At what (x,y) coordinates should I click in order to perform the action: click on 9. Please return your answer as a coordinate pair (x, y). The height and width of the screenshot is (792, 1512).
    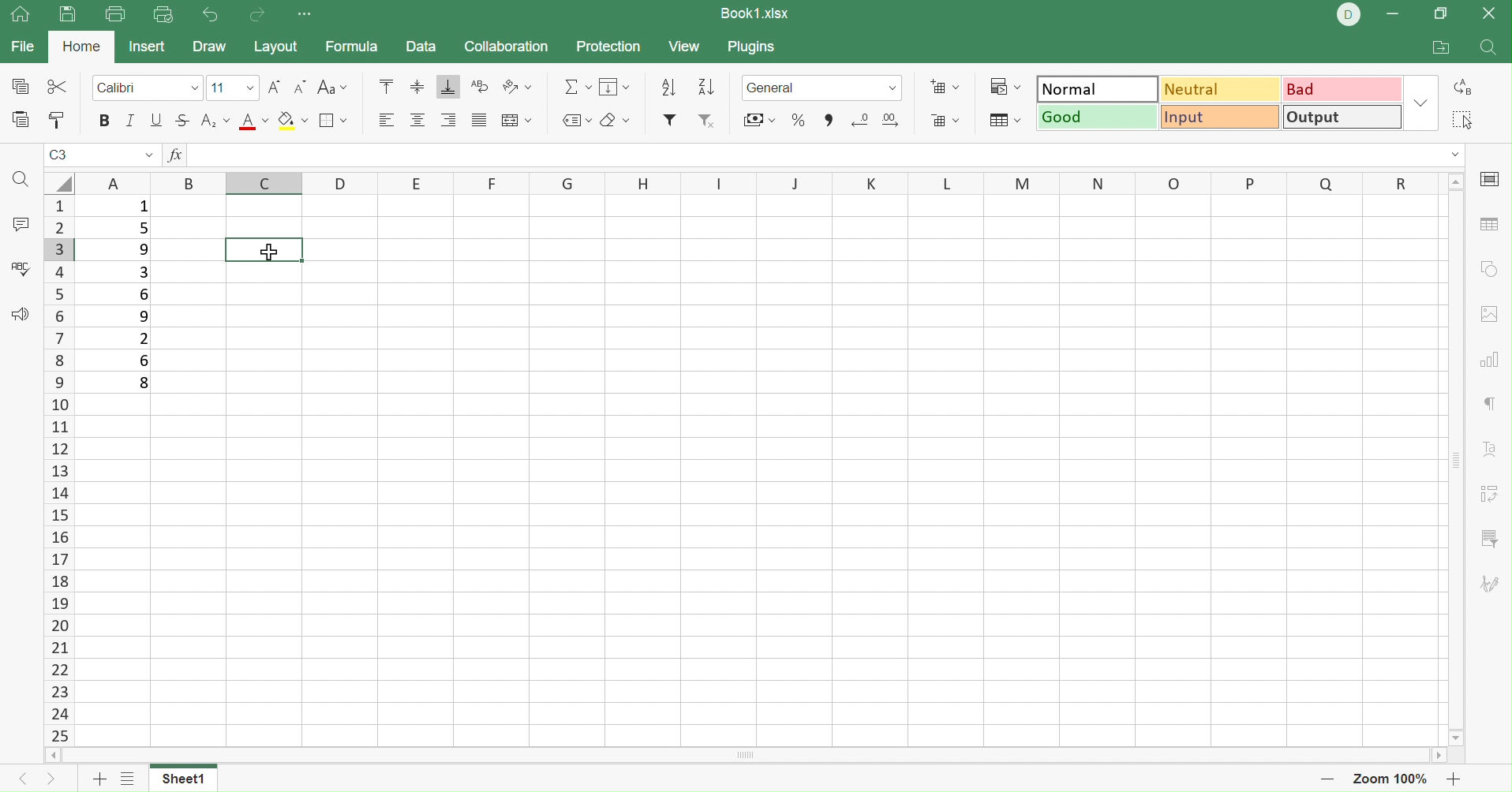
    Looking at the image, I should click on (142, 249).